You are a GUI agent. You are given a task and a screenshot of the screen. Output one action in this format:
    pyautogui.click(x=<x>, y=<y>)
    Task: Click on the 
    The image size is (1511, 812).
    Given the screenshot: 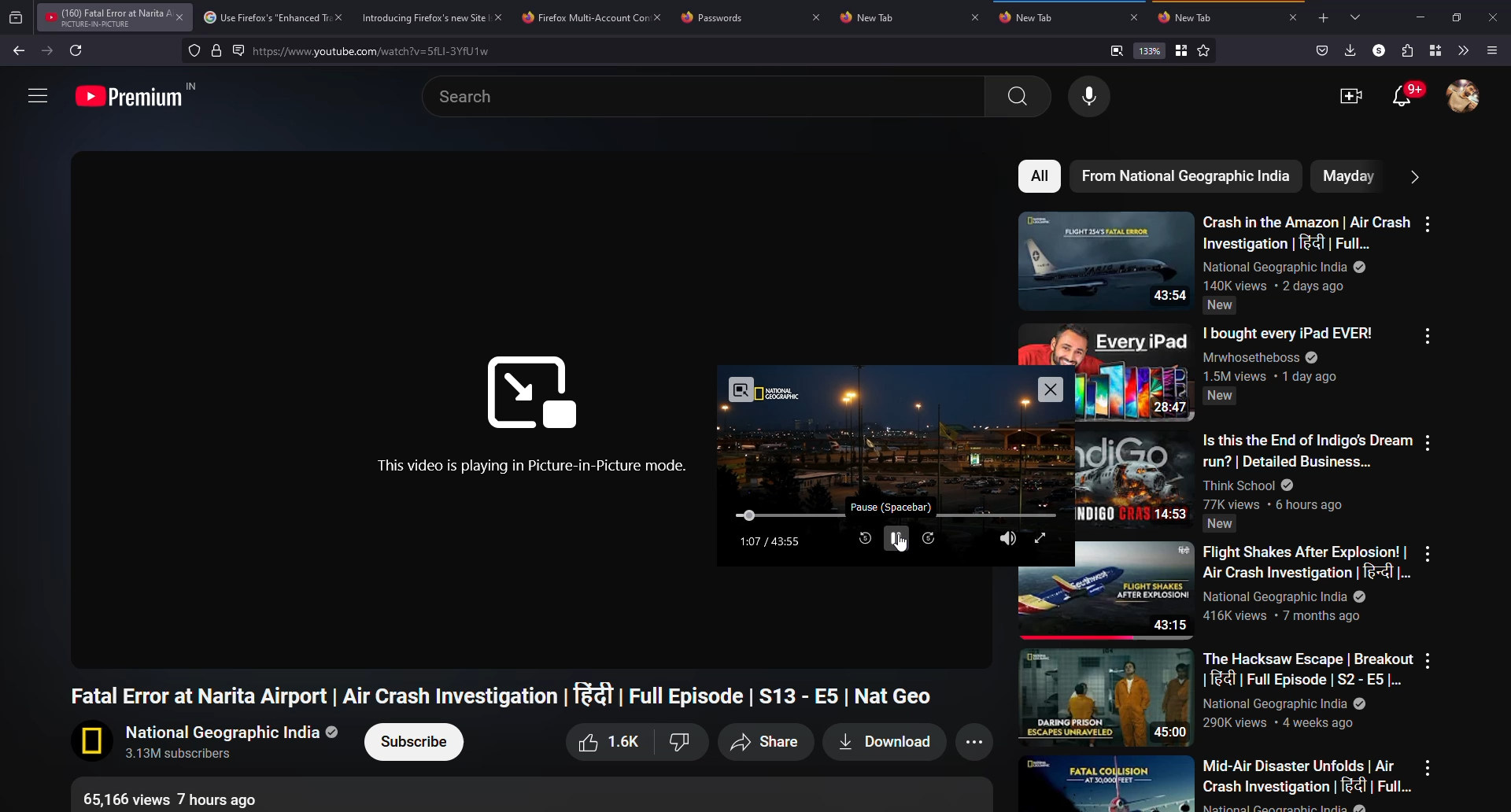 What is the action you would take?
    pyautogui.click(x=16, y=19)
    